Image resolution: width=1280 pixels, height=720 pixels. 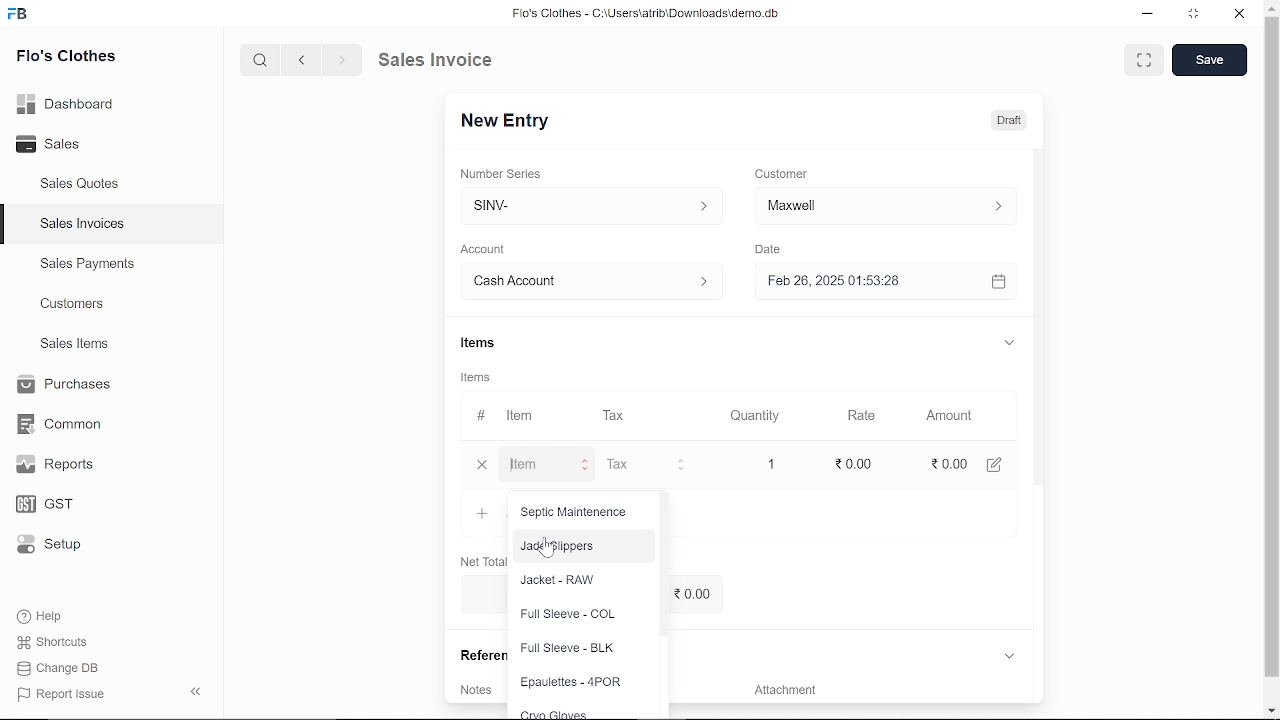 I want to click on expand, so click(x=1016, y=341).